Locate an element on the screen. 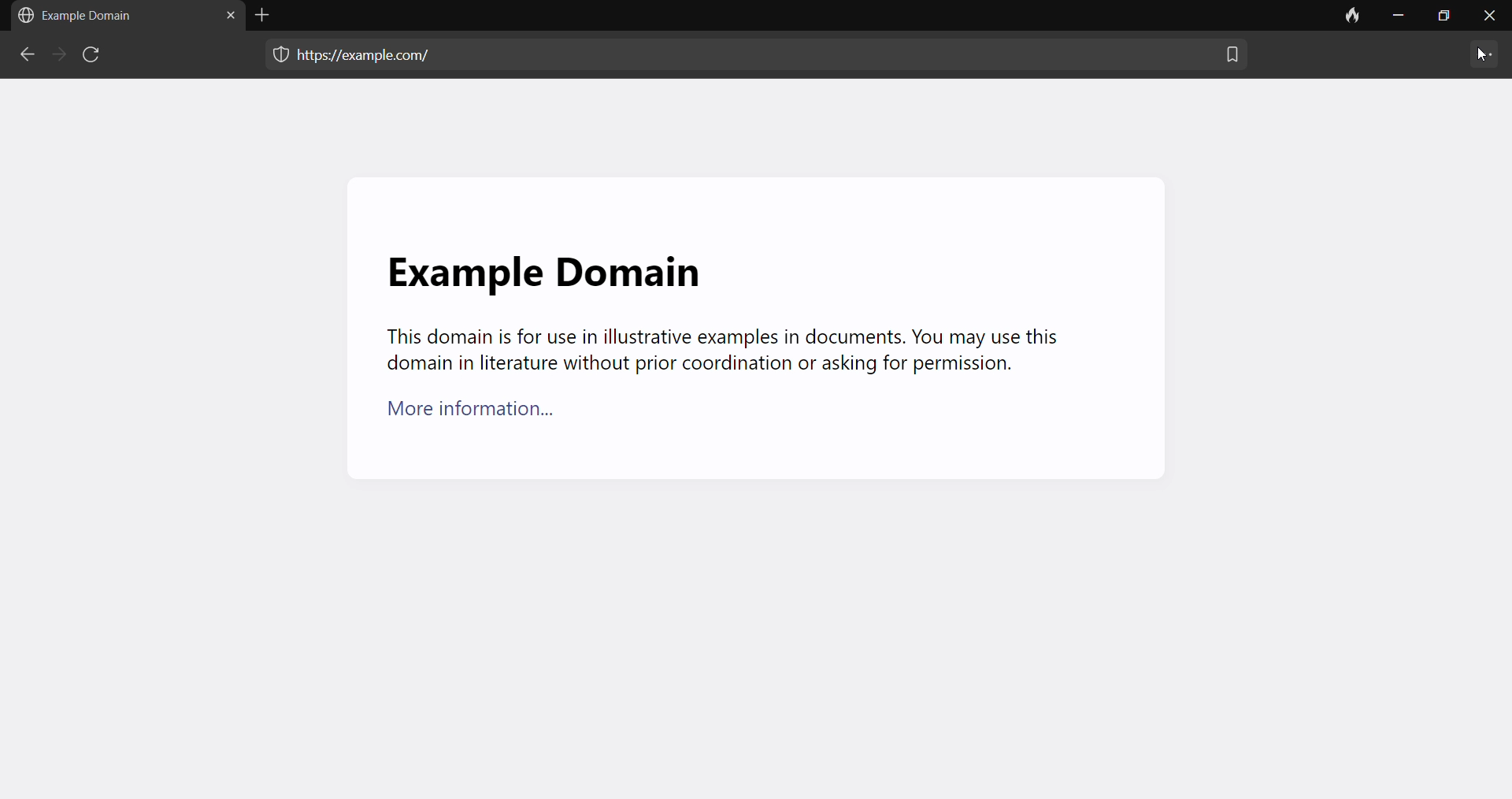 The height and width of the screenshot is (799, 1512). web address is located at coordinates (372, 53).